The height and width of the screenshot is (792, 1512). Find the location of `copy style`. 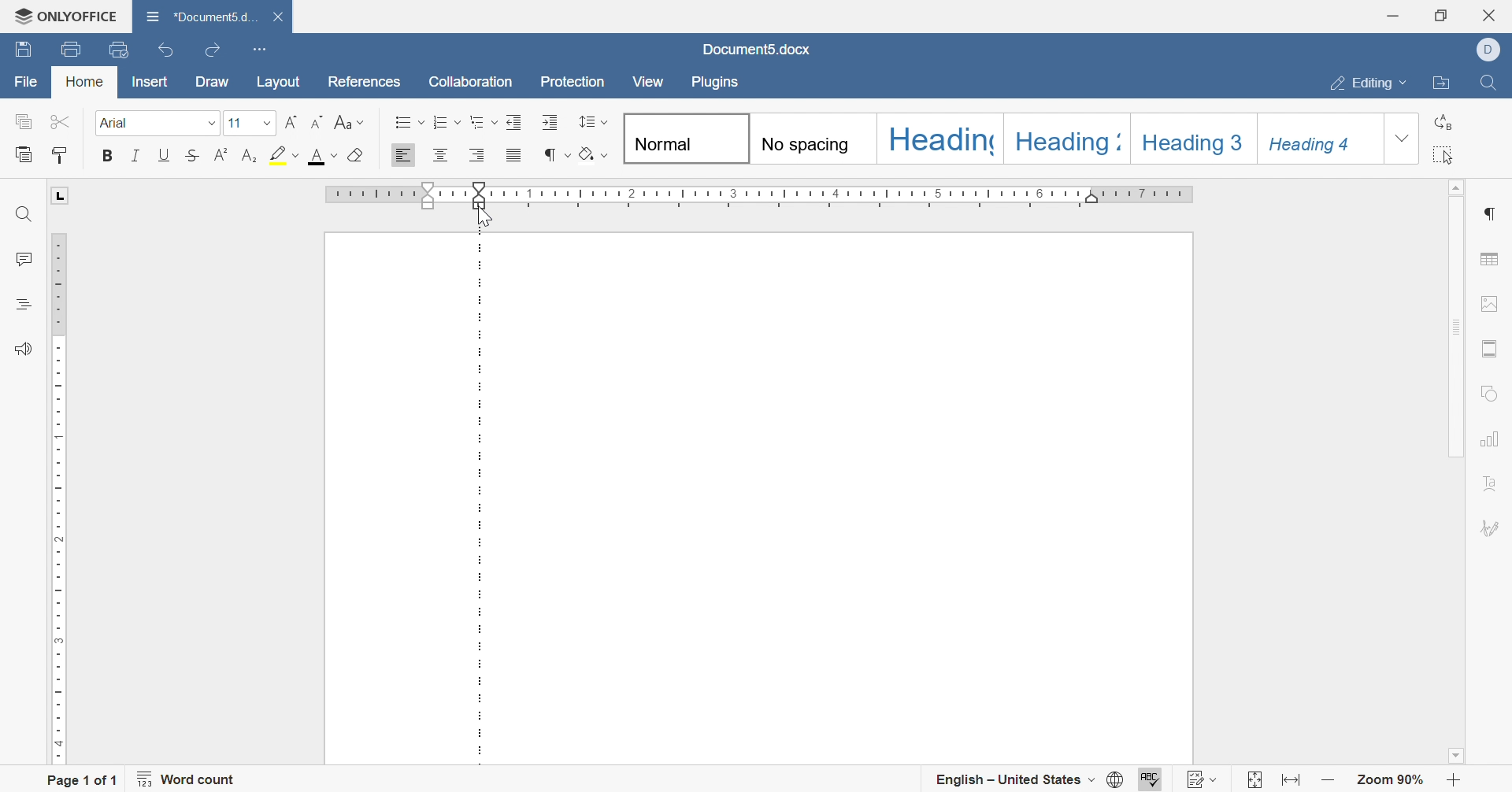

copy style is located at coordinates (60, 154).